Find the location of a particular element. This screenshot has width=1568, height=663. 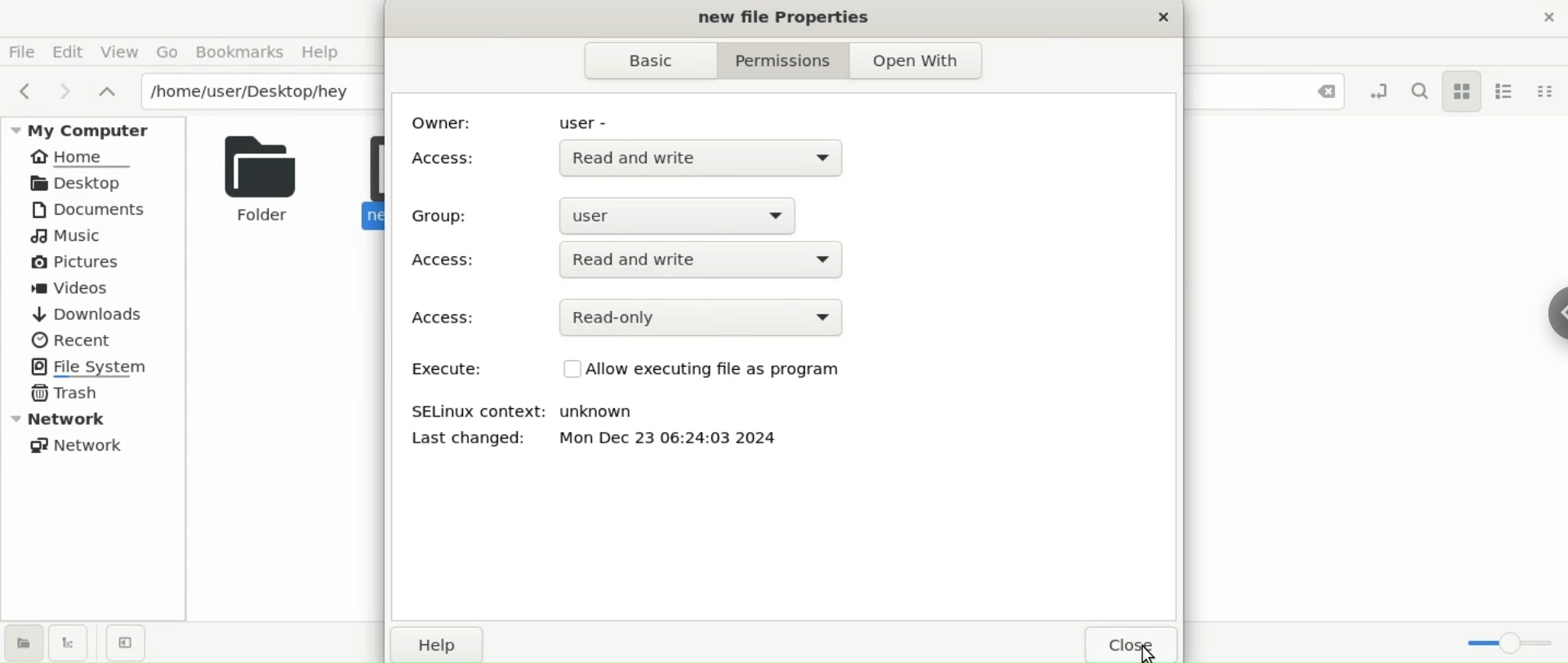

Desktop is located at coordinates (87, 182).